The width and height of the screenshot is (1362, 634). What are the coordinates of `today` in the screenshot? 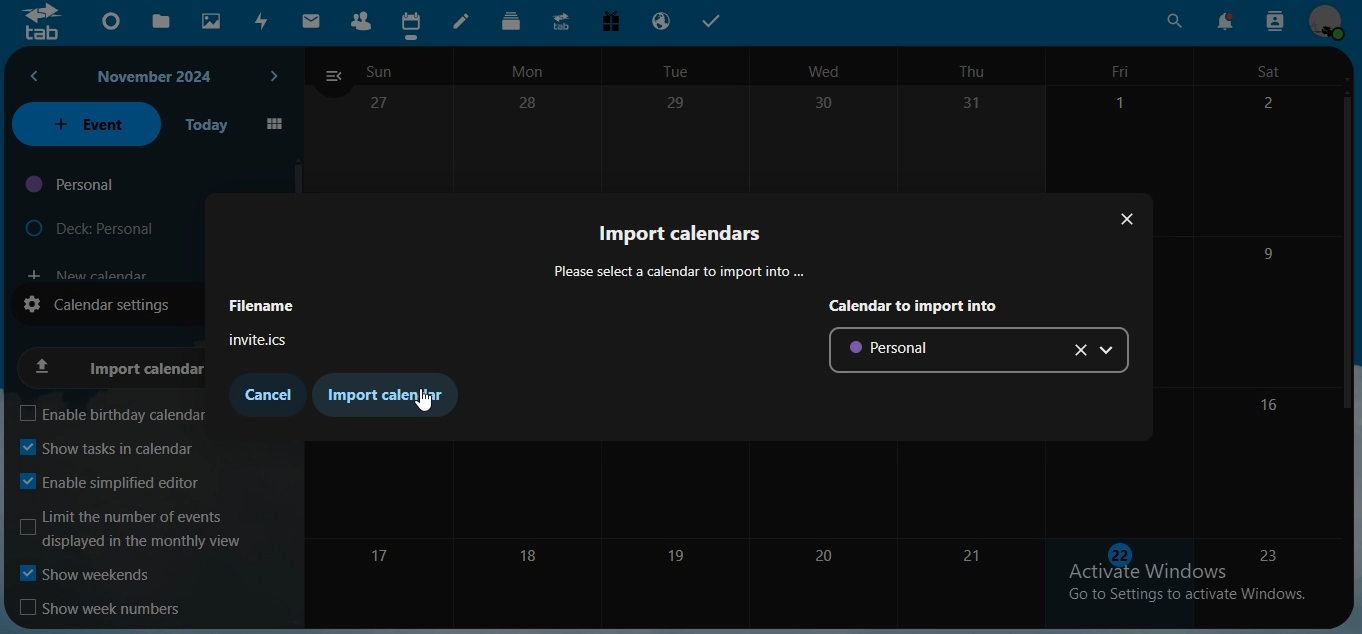 It's located at (207, 125).